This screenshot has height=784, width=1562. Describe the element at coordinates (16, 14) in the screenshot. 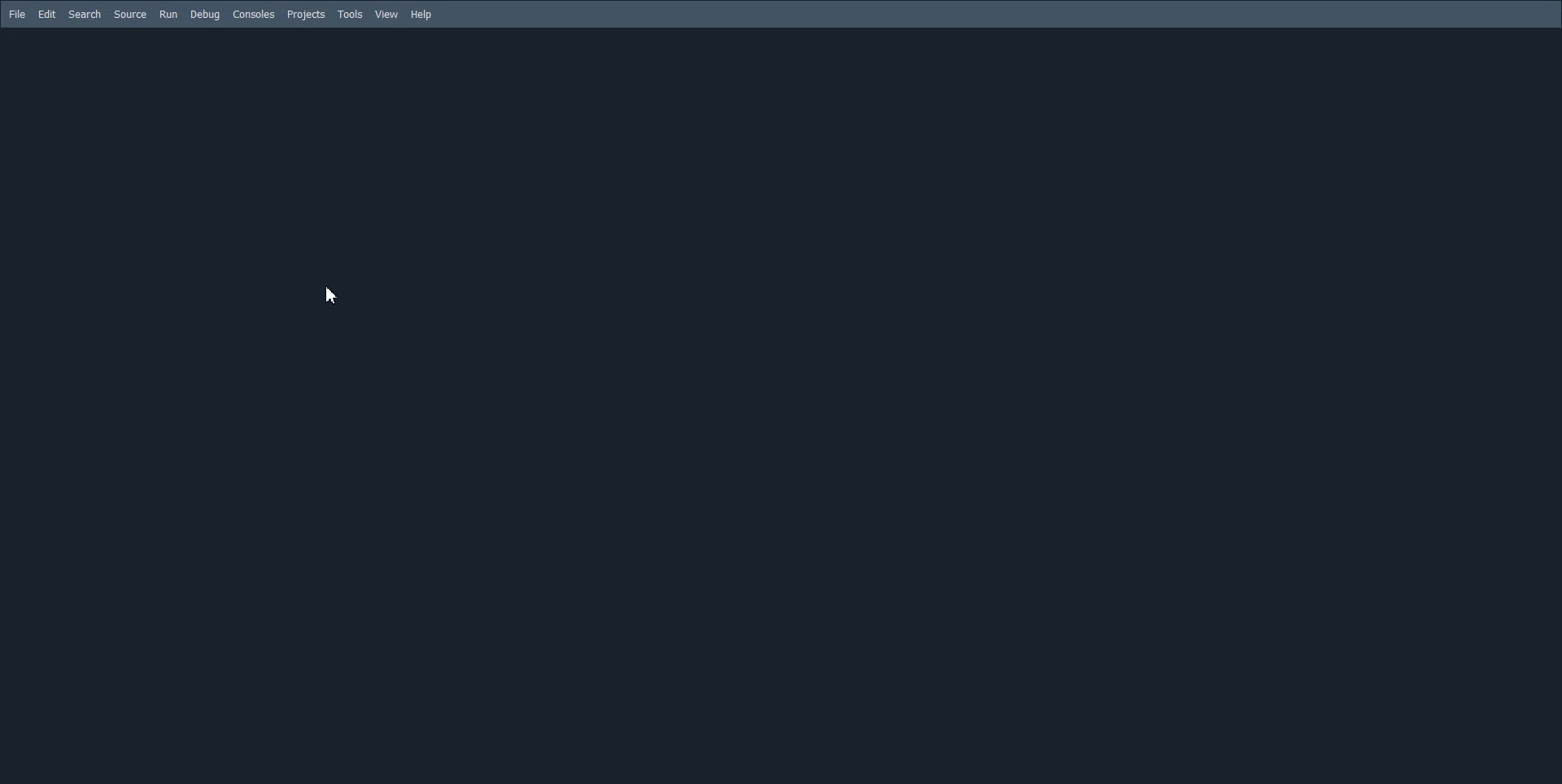

I see `File` at that location.